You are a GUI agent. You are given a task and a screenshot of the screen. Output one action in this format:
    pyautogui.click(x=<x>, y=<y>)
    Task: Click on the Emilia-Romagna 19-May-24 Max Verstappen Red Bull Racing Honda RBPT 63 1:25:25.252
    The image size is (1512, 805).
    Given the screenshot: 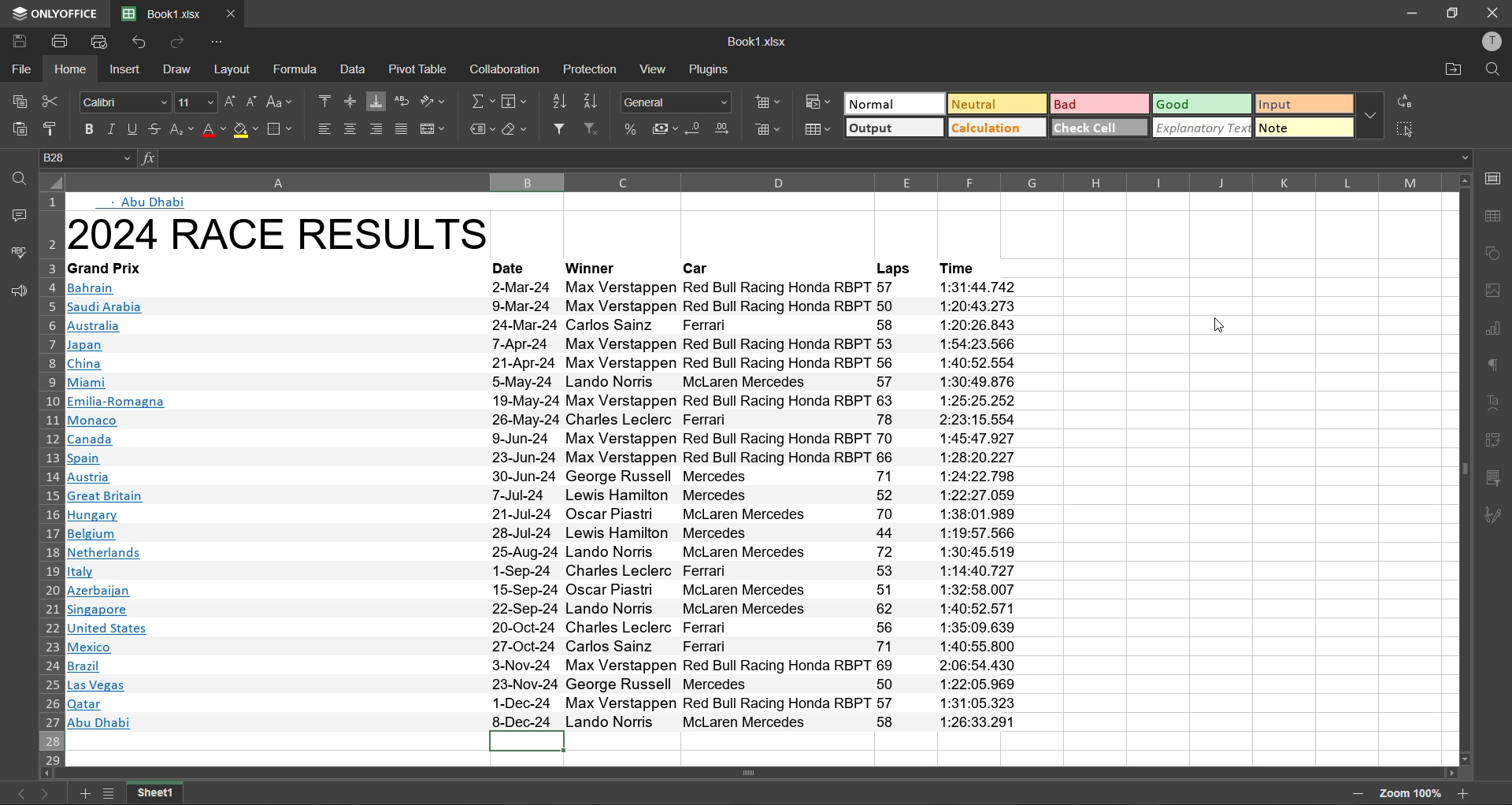 What is the action you would take?
    pyautogui.click(x=547, y=402)
    